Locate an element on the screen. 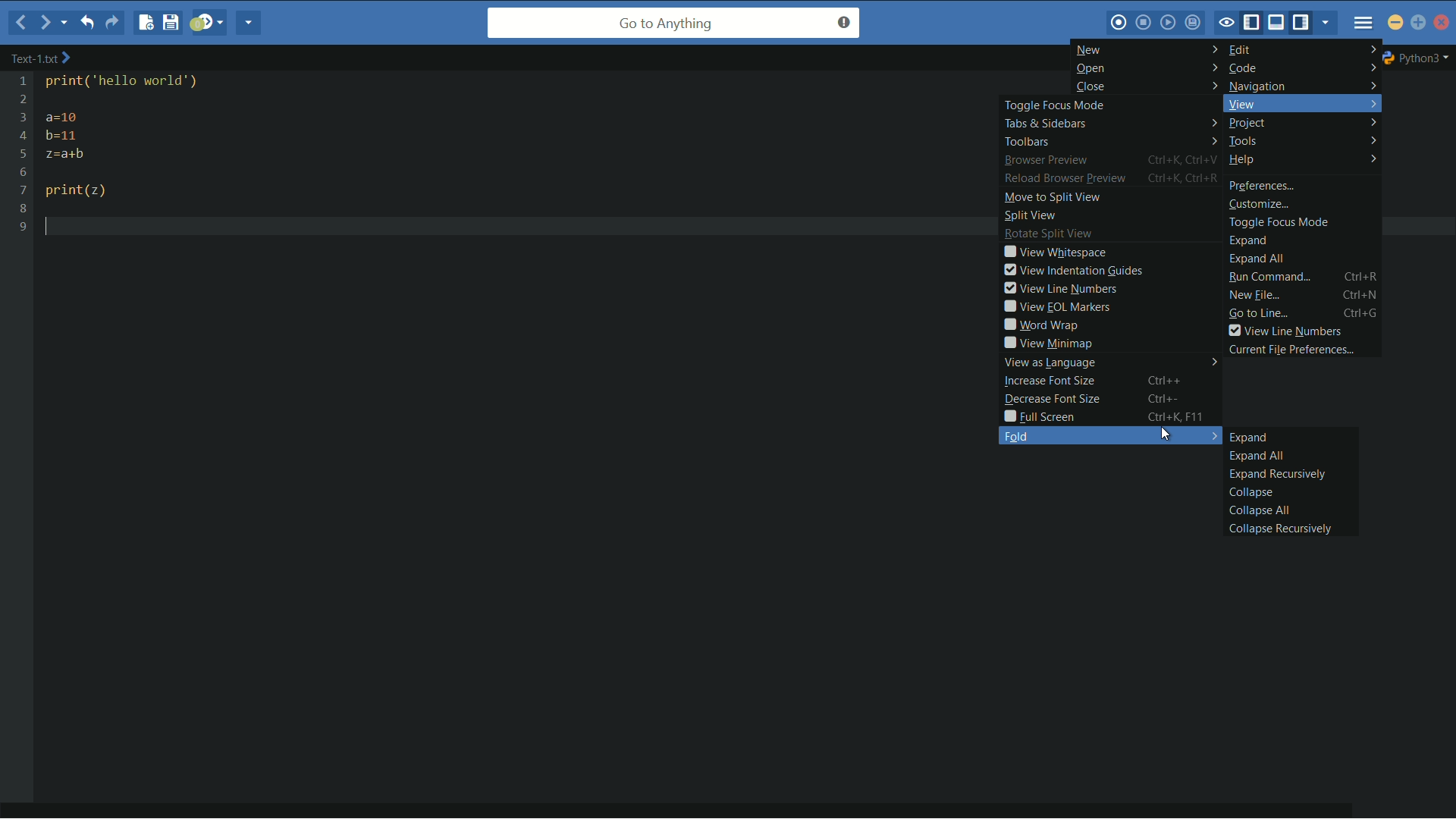  decrease font size is located at coordinates (1050, 400).